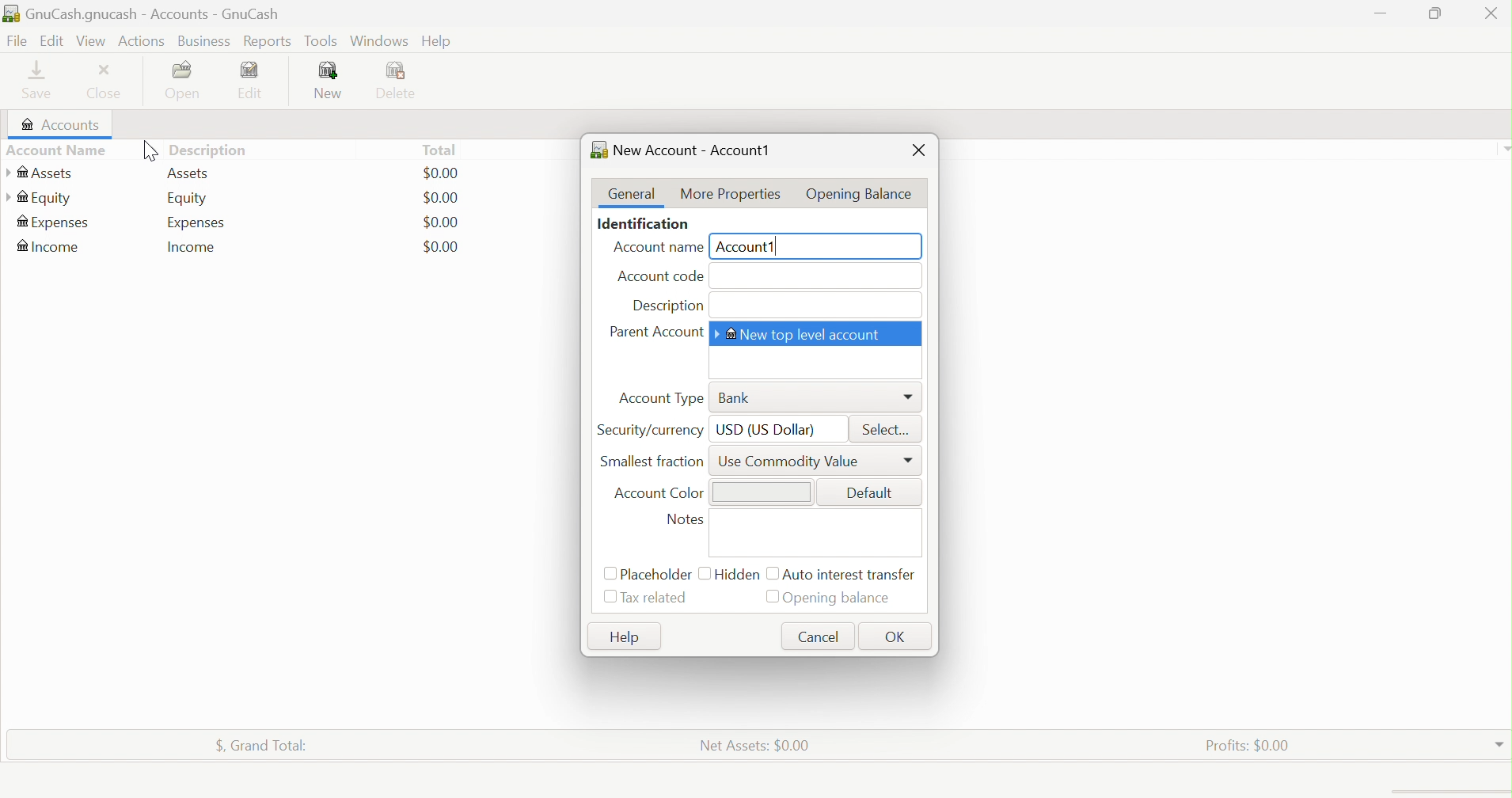  I want to click on General, so click(633, 194).